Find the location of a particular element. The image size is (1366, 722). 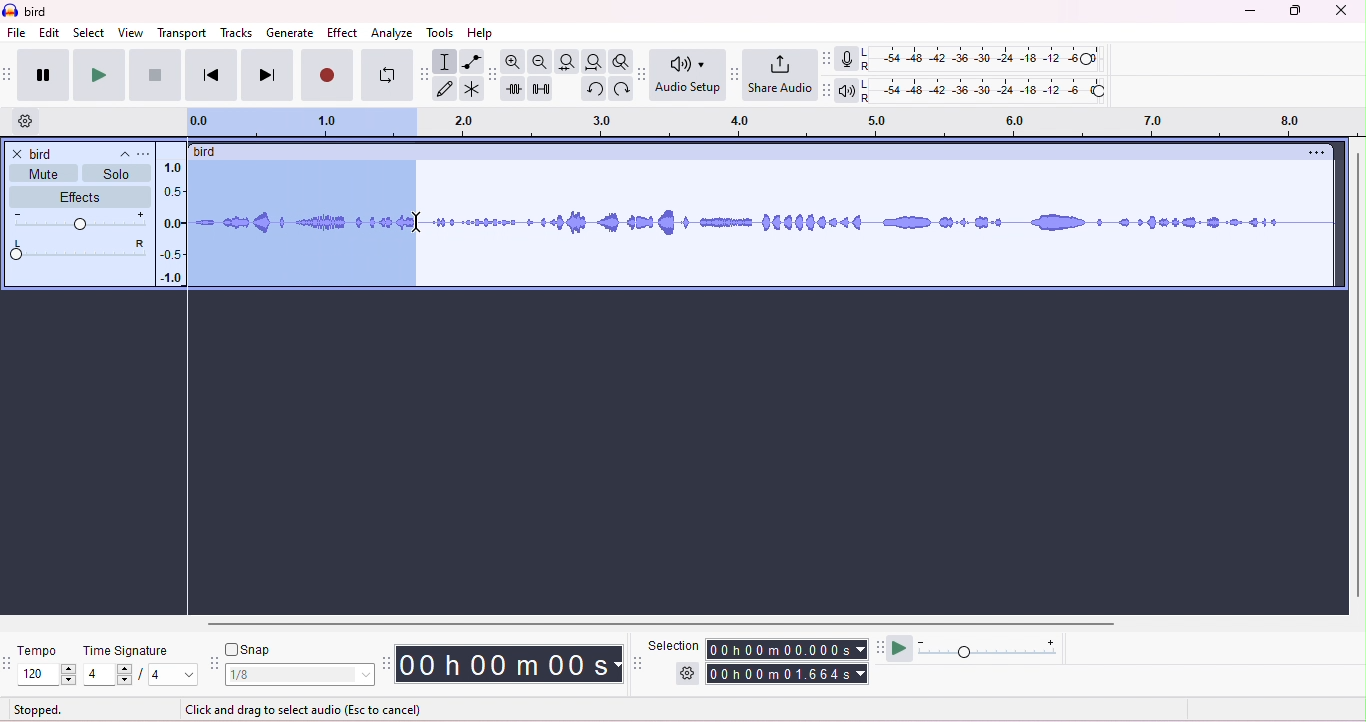

vertical scroll bar is located at coordinates (1356, 376).